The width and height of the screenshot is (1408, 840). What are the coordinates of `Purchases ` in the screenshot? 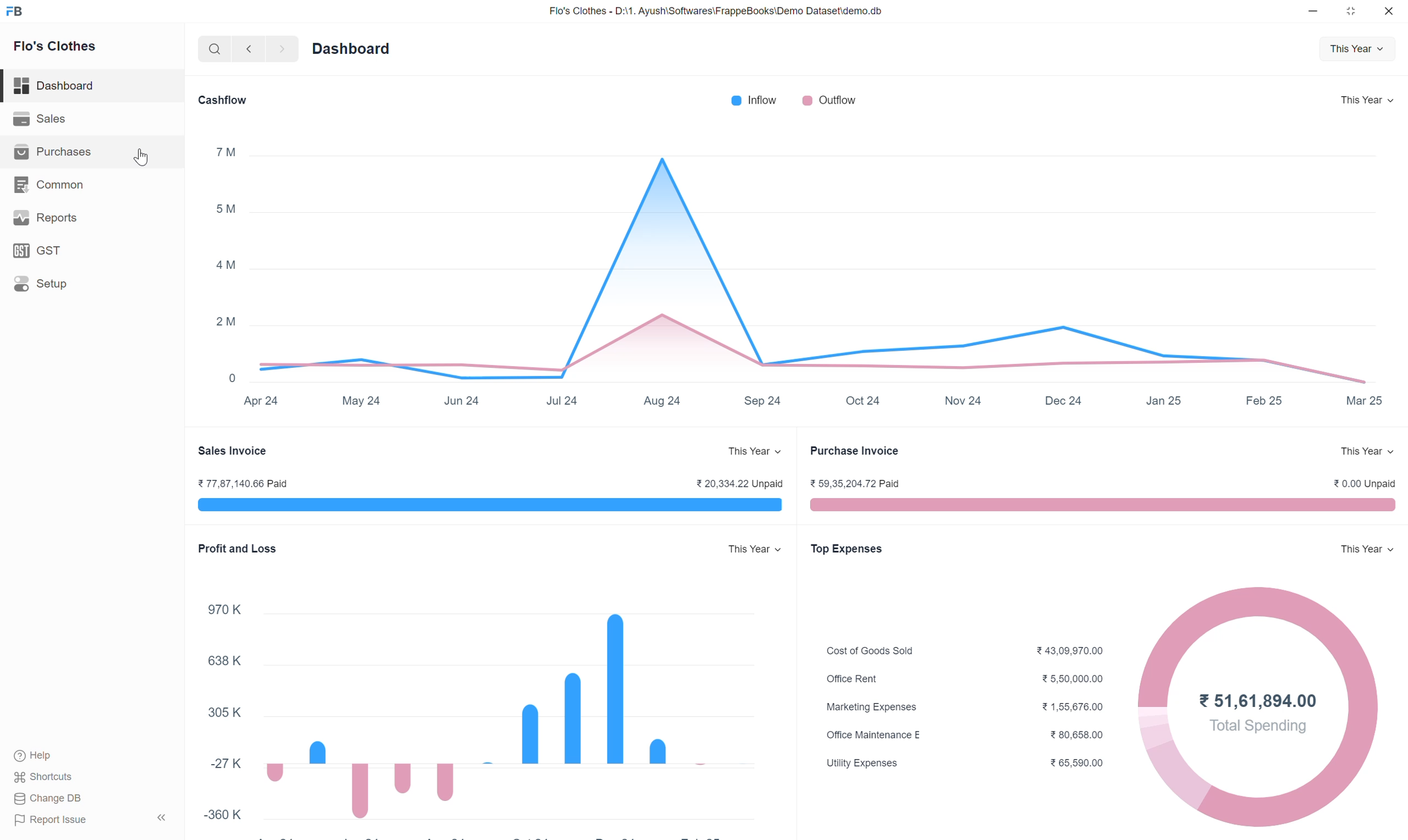 It's located at (54, 152).